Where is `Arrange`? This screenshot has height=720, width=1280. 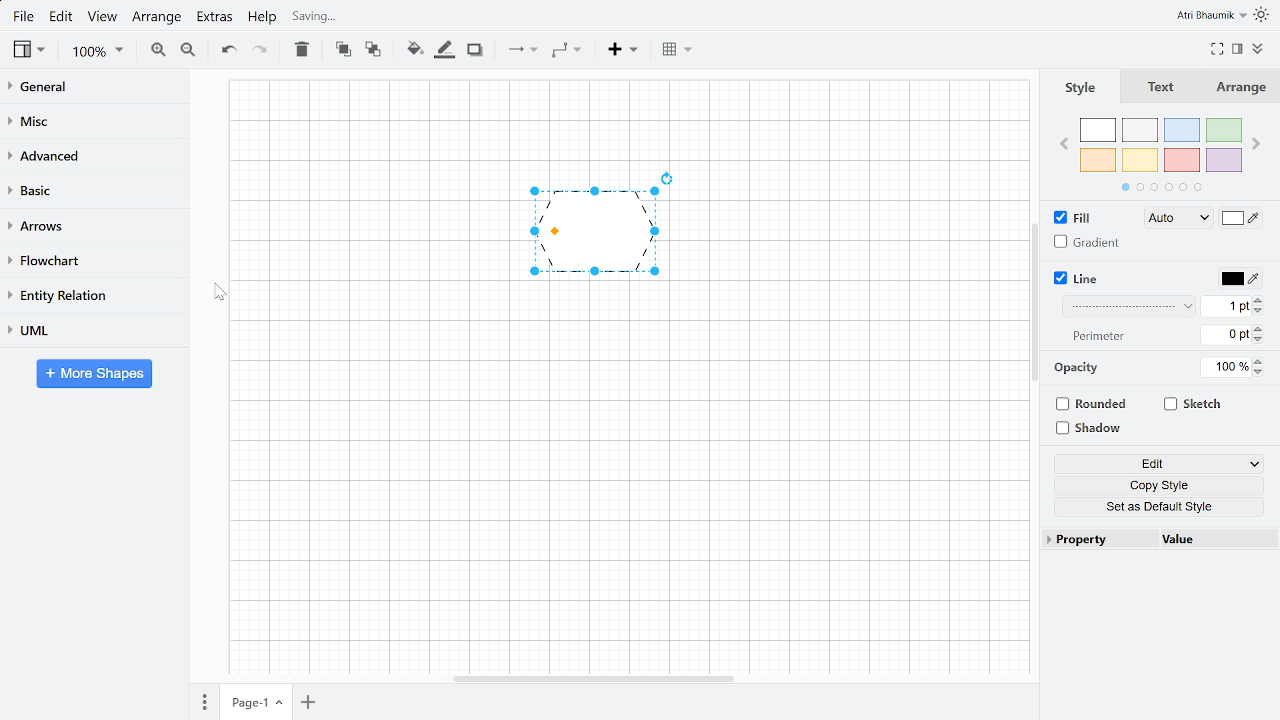 Arrange is located at coordinates (1238, 88).